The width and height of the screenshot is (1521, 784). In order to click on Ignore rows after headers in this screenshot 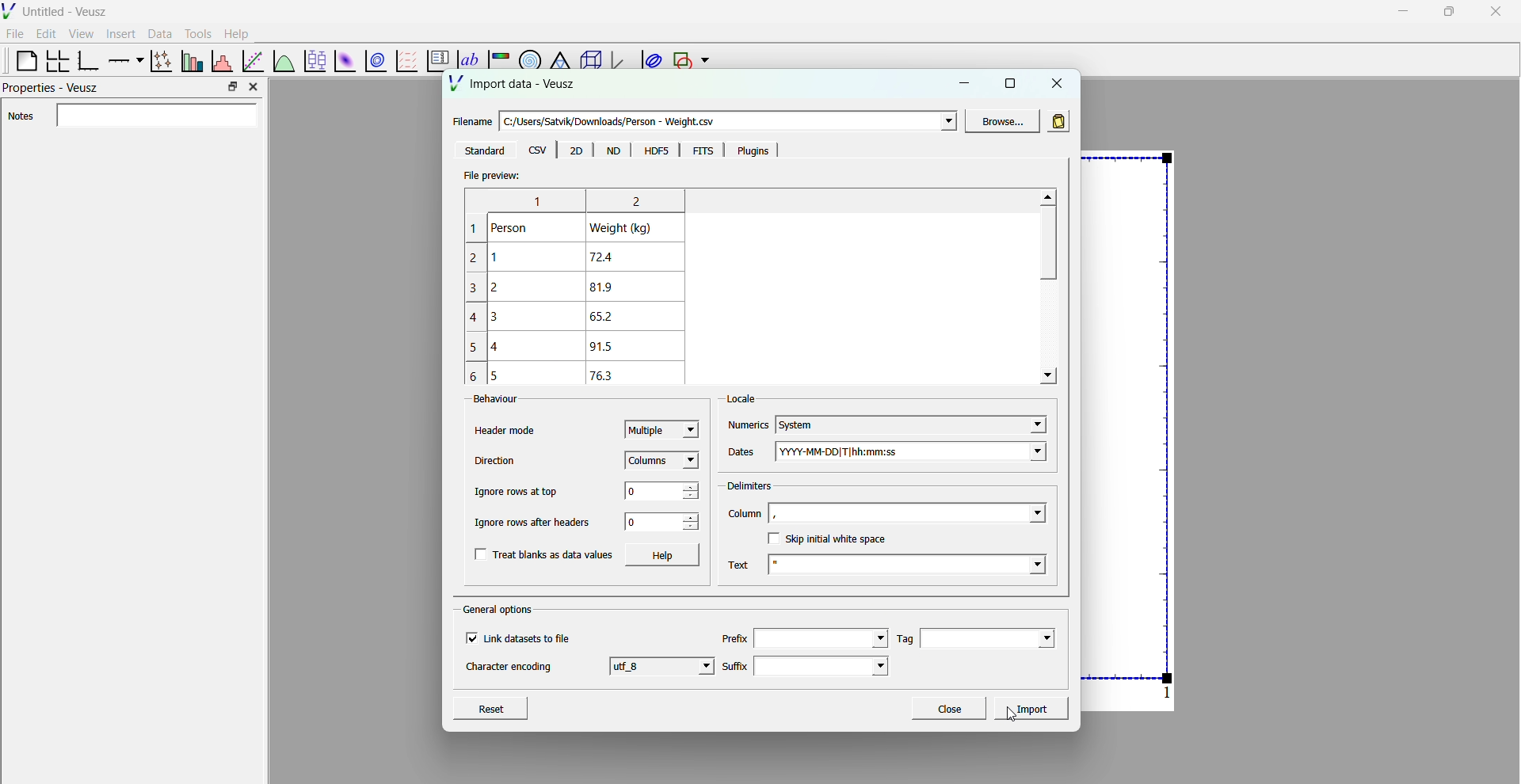, I will do `click(537, 521)`.